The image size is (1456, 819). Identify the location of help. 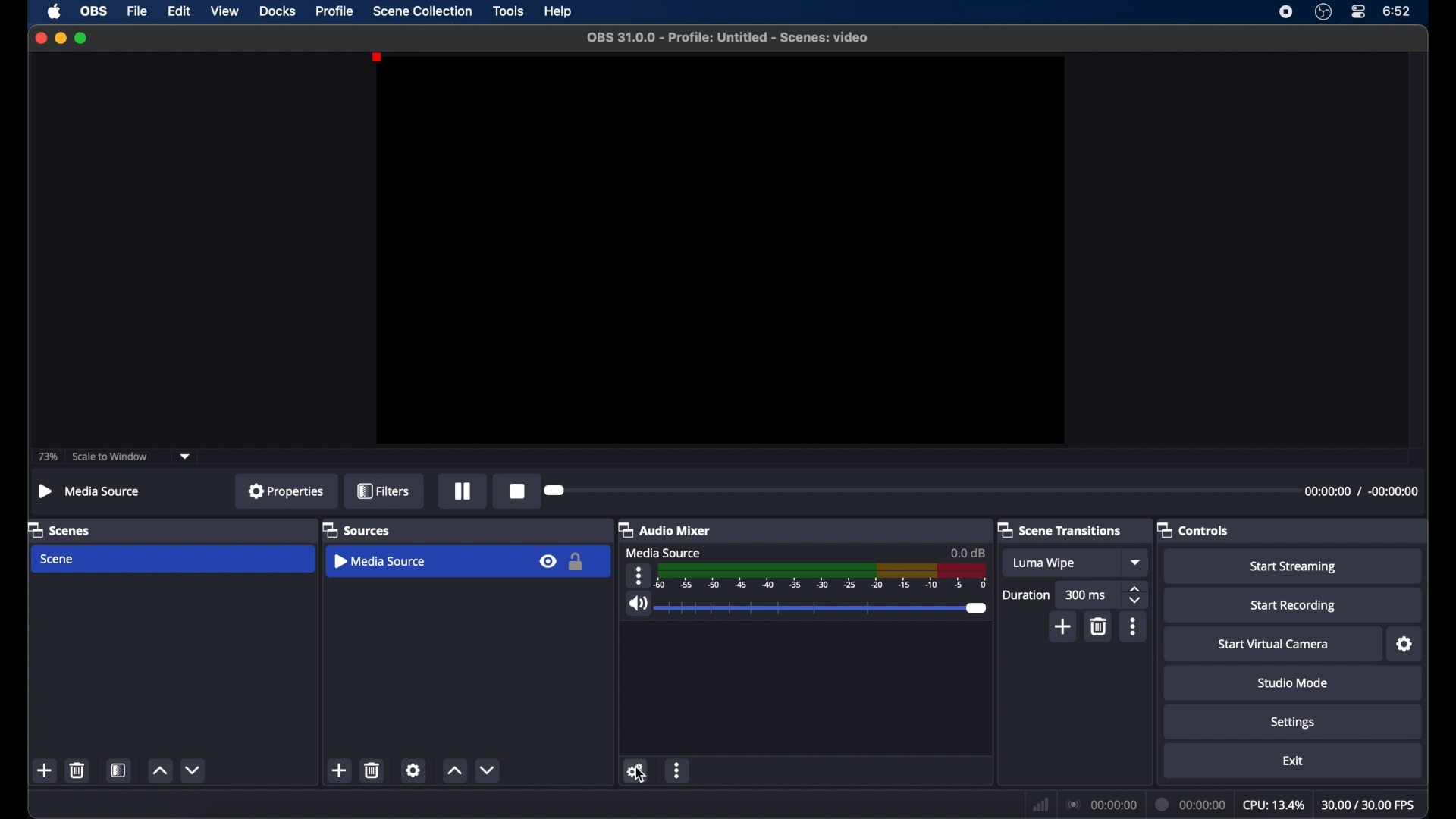
(559, 11).